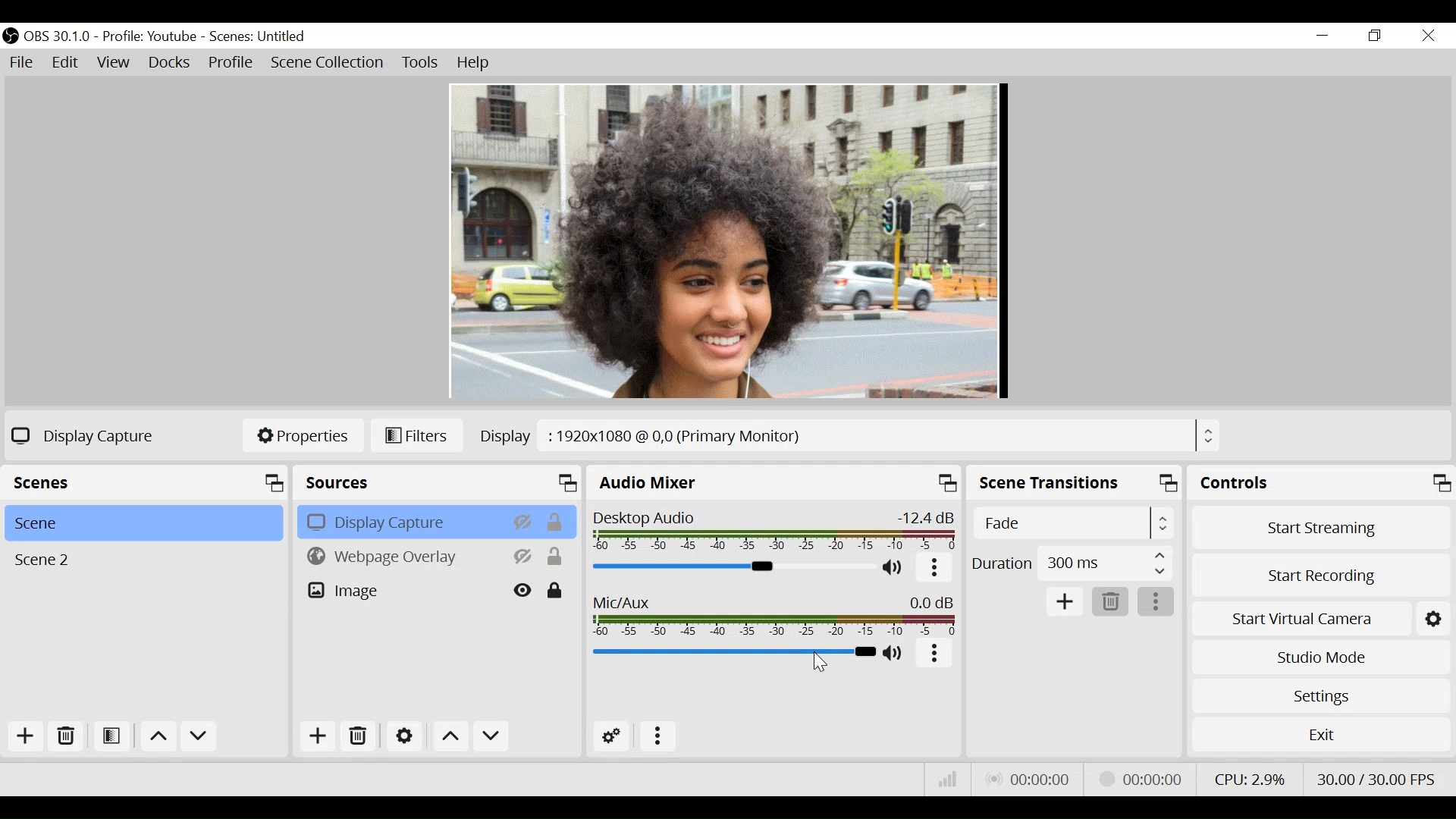  What do you see at coordinates (402, 591) in the screenshot?
I see `Image Source` at bounding box center [402, 591].